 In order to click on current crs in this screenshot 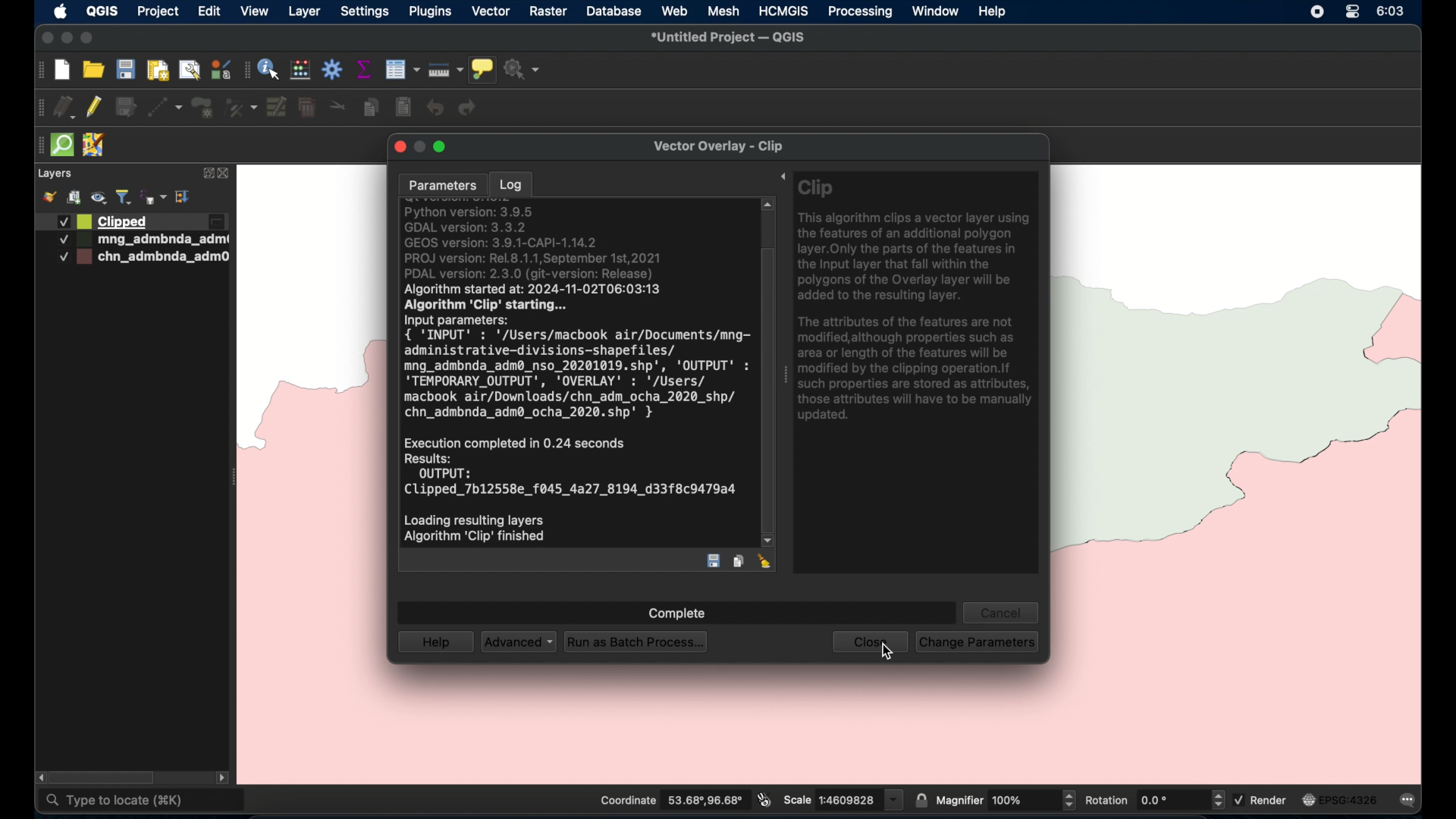, I will do `click(1340, 799)`.